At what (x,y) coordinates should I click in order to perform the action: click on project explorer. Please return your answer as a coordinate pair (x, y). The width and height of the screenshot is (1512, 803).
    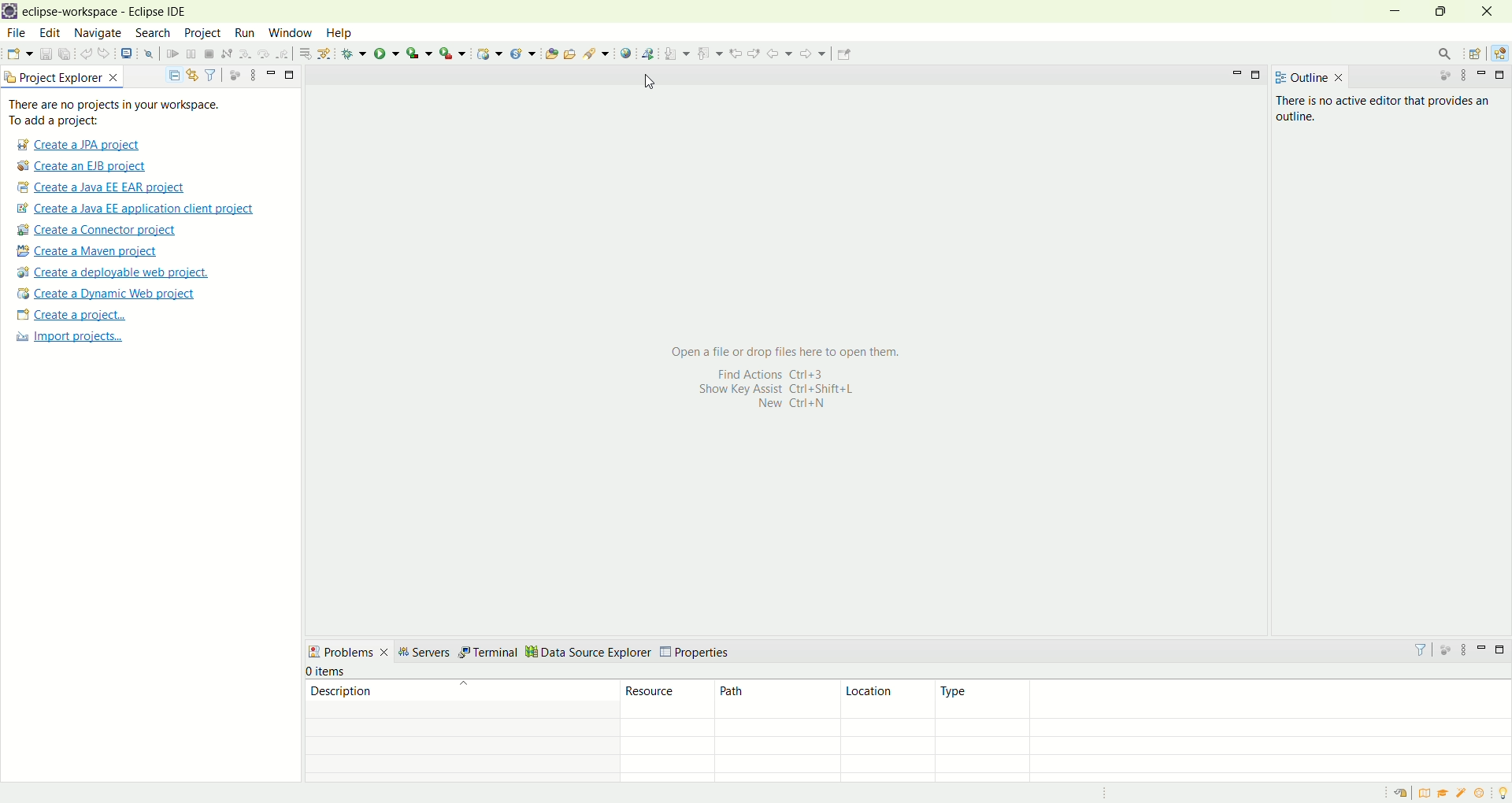
    Looking at the image, I should click on (63, 76).